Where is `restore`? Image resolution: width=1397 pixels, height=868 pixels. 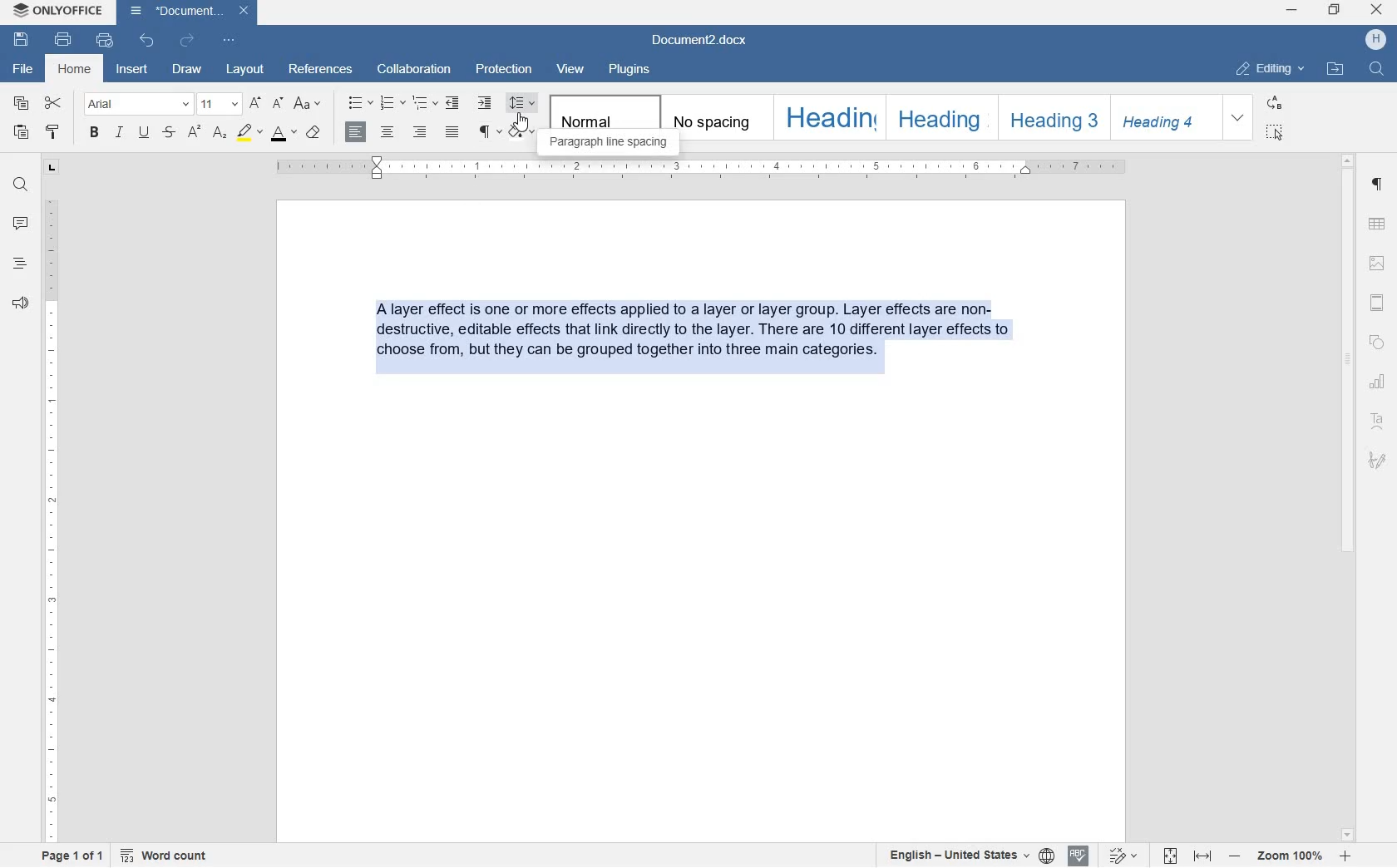
restore is located at coordinates (1337, 9).